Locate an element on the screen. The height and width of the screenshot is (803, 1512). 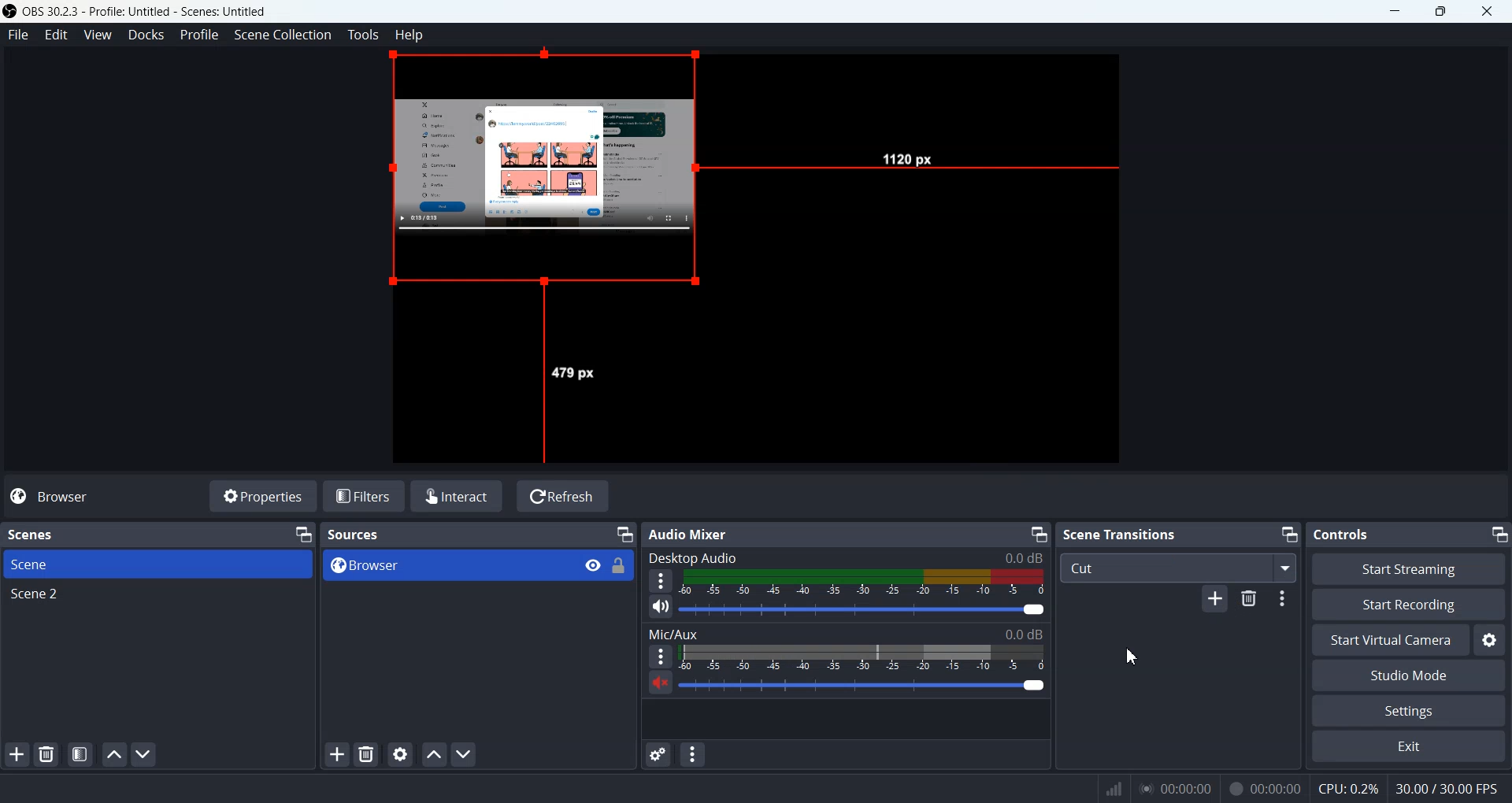
Minimize is located at coordinates (625, 533).